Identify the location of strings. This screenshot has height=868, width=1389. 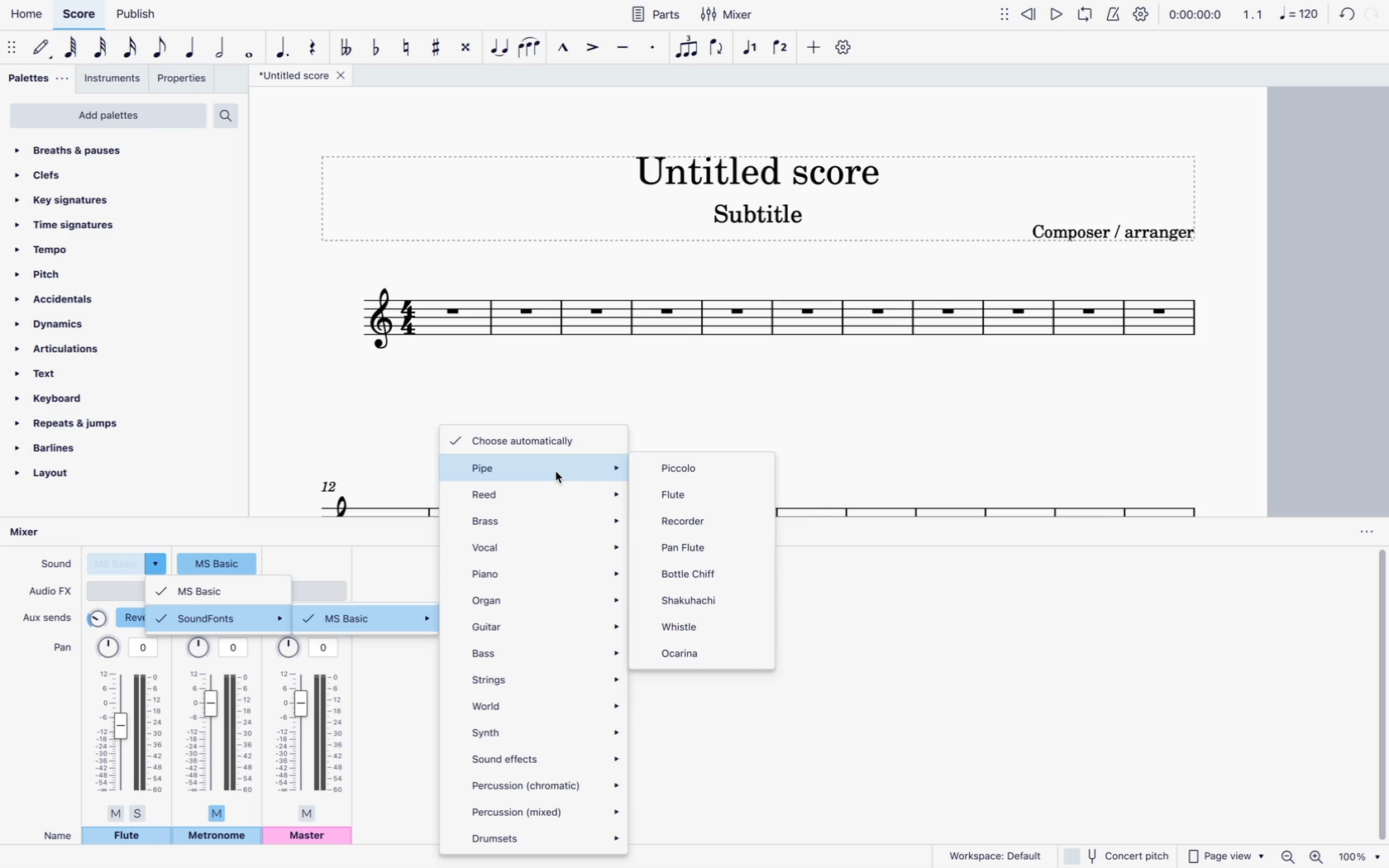
(544, 678).